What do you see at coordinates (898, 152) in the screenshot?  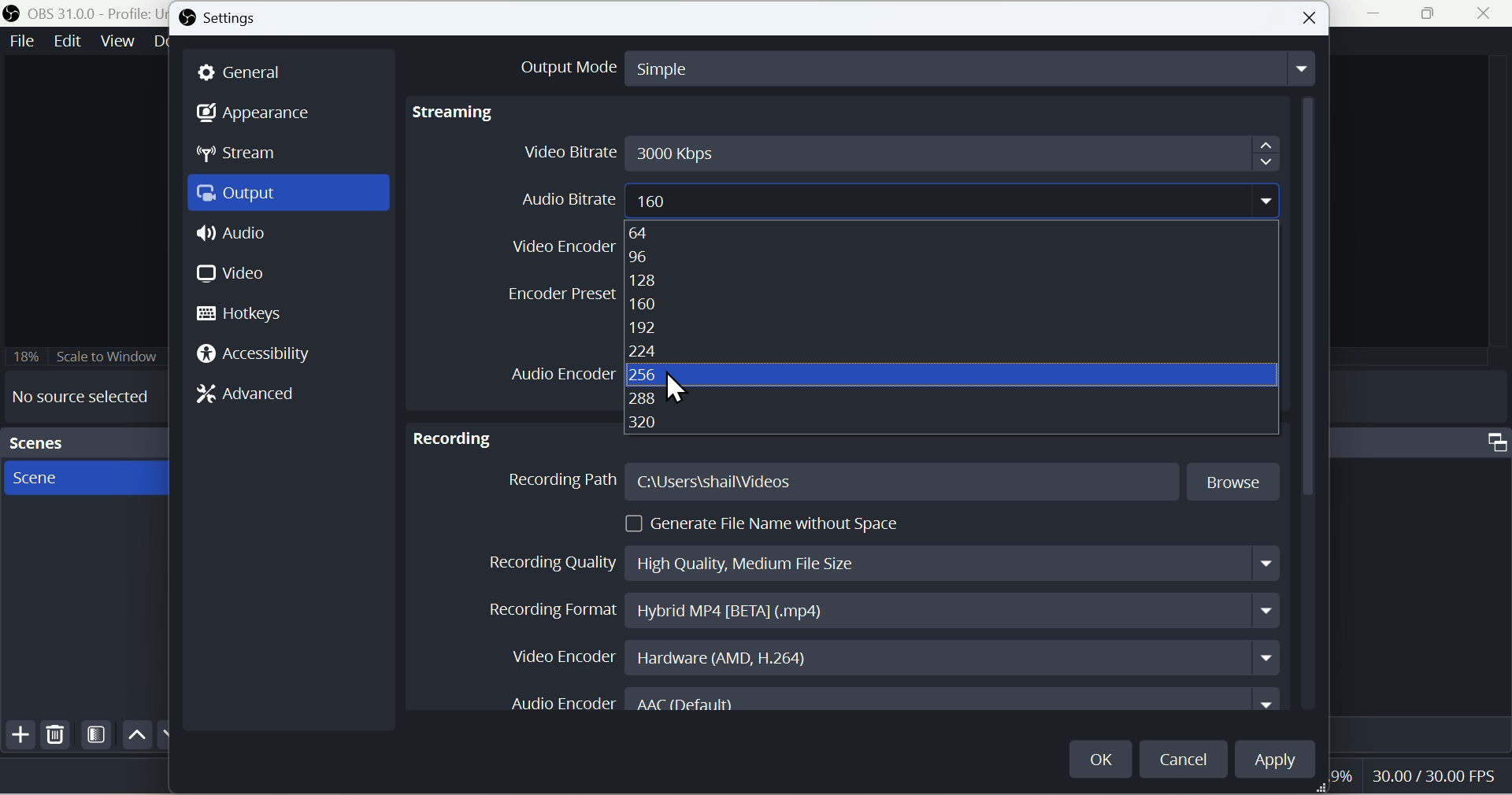 I see `Video Bitrate` at bounding box center [898, 152].